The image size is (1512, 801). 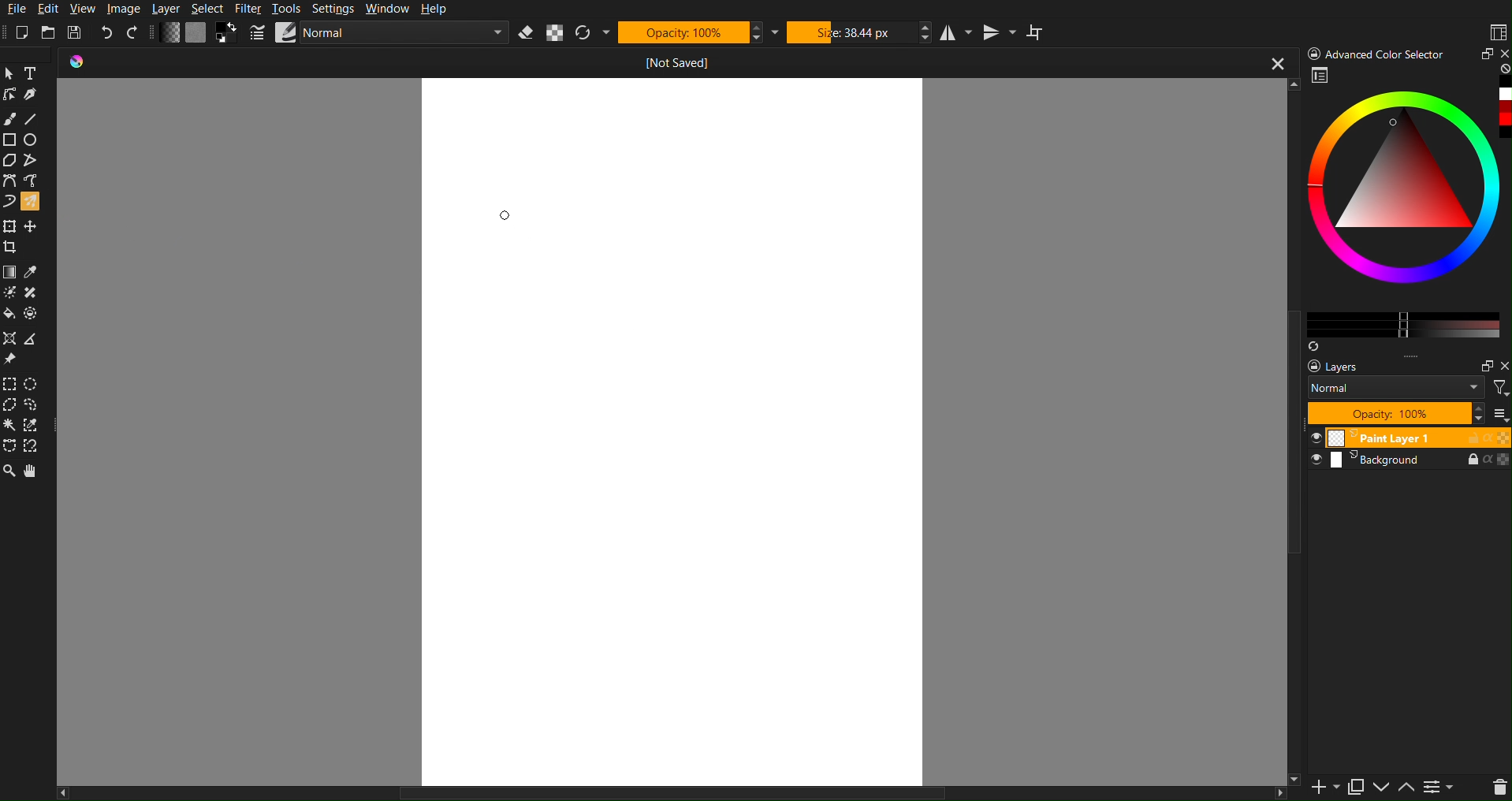 I want to click on minimize, so click(x=1484, y=54).